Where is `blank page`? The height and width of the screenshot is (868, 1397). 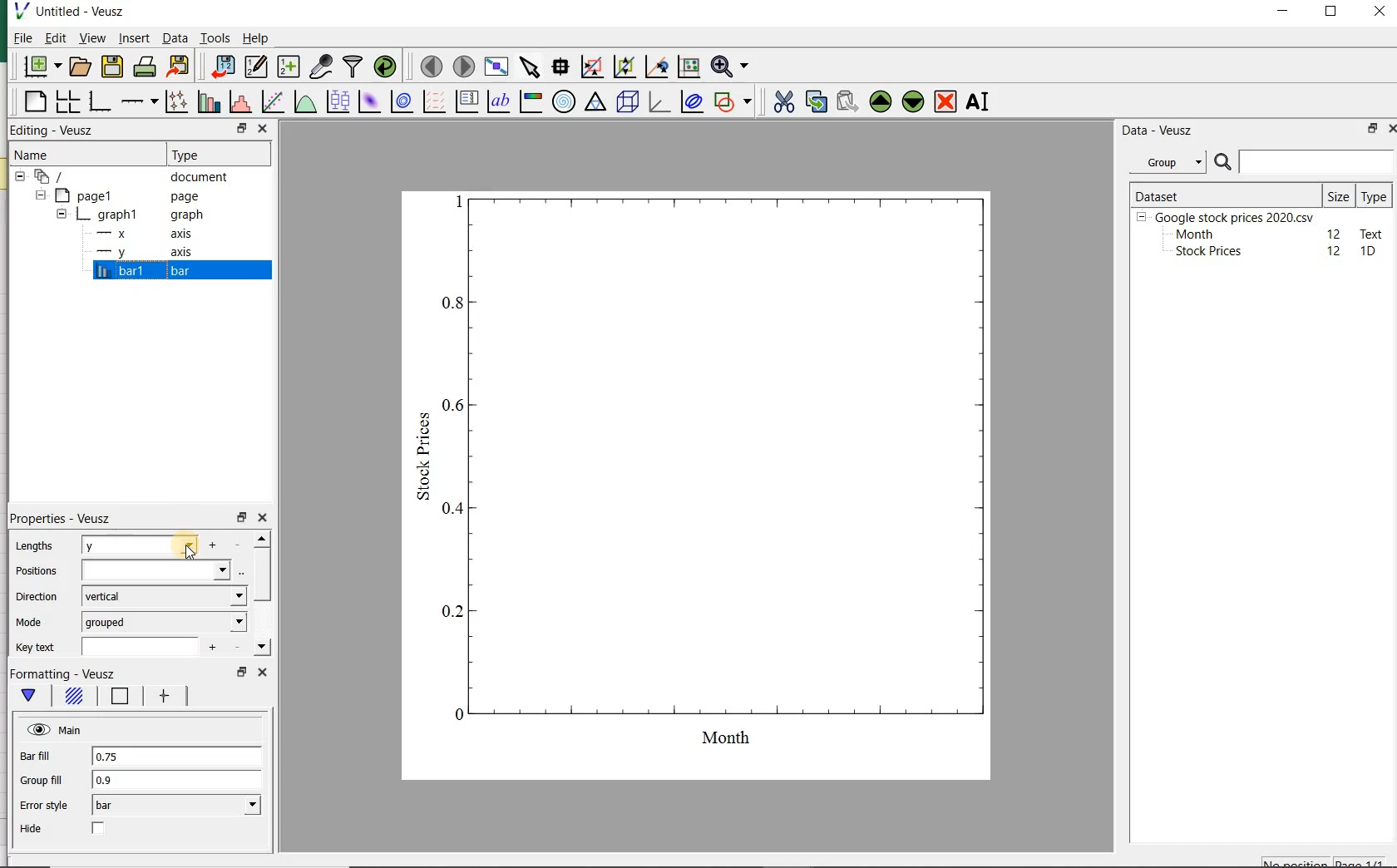 blank page is located at coordinates (34, 104).